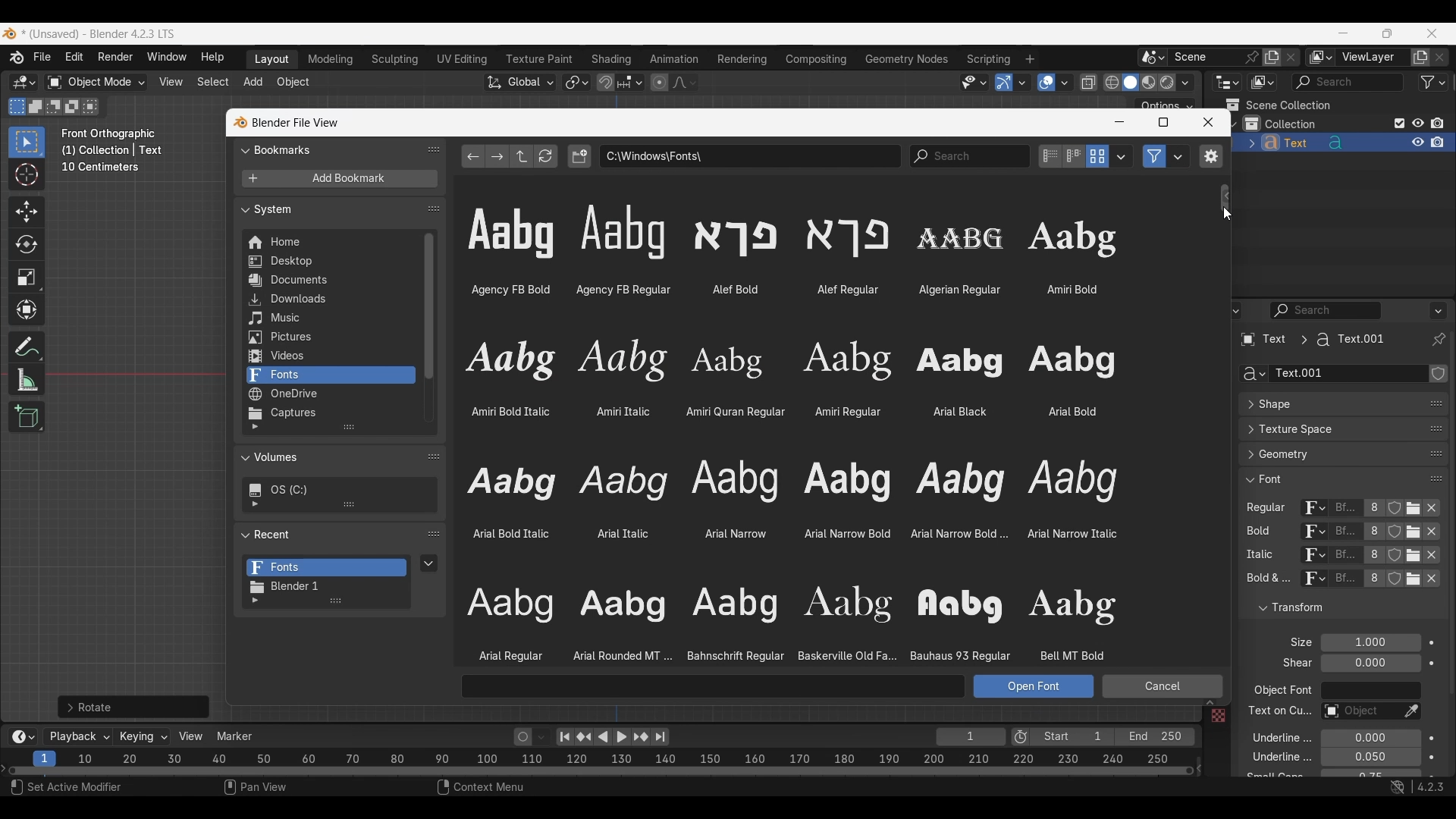 This screenshot has width=1456, height=819. What do you see at coordinates (1414, 789) in the screenshot?
I see `shortcut` at bounding box center [1414, 789].